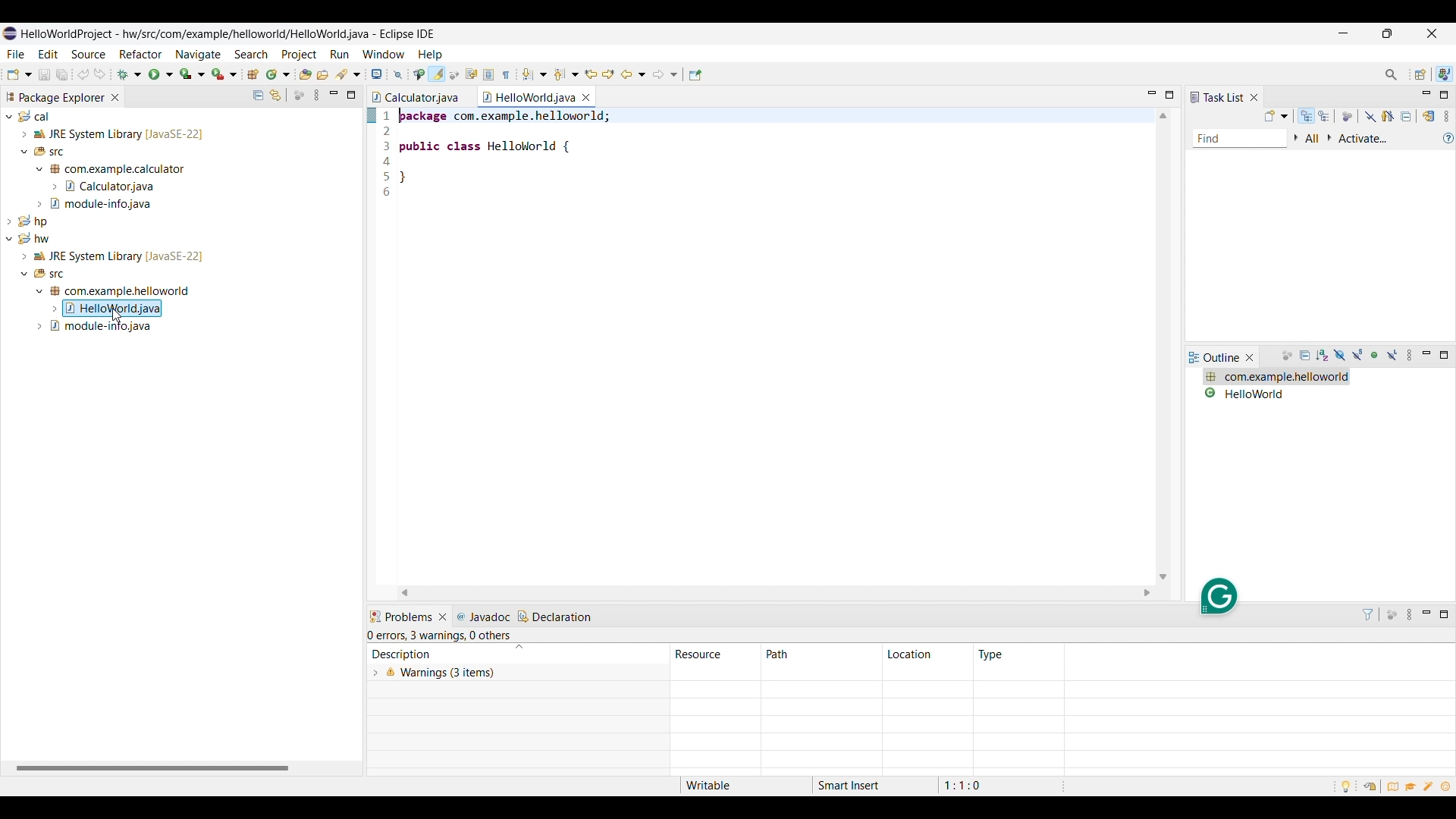  Describe the element at coordinates (443, 617) in the screenshot. I see `Close` at that location.